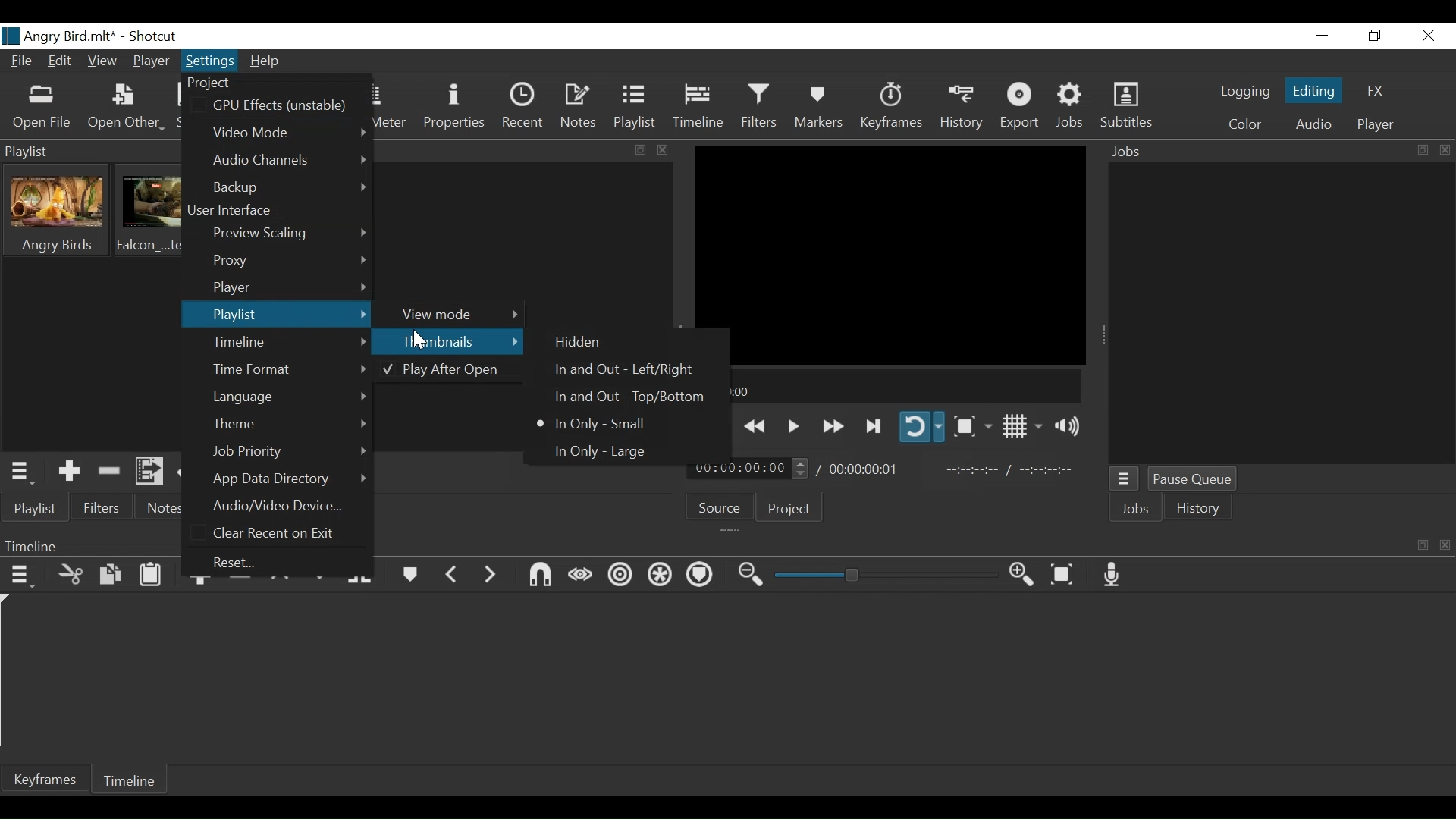 This screenshot has width=1456, height=819. Describe the element at coordinates (701, 576) in the screenshot. I see `Ripple markers` at that location.